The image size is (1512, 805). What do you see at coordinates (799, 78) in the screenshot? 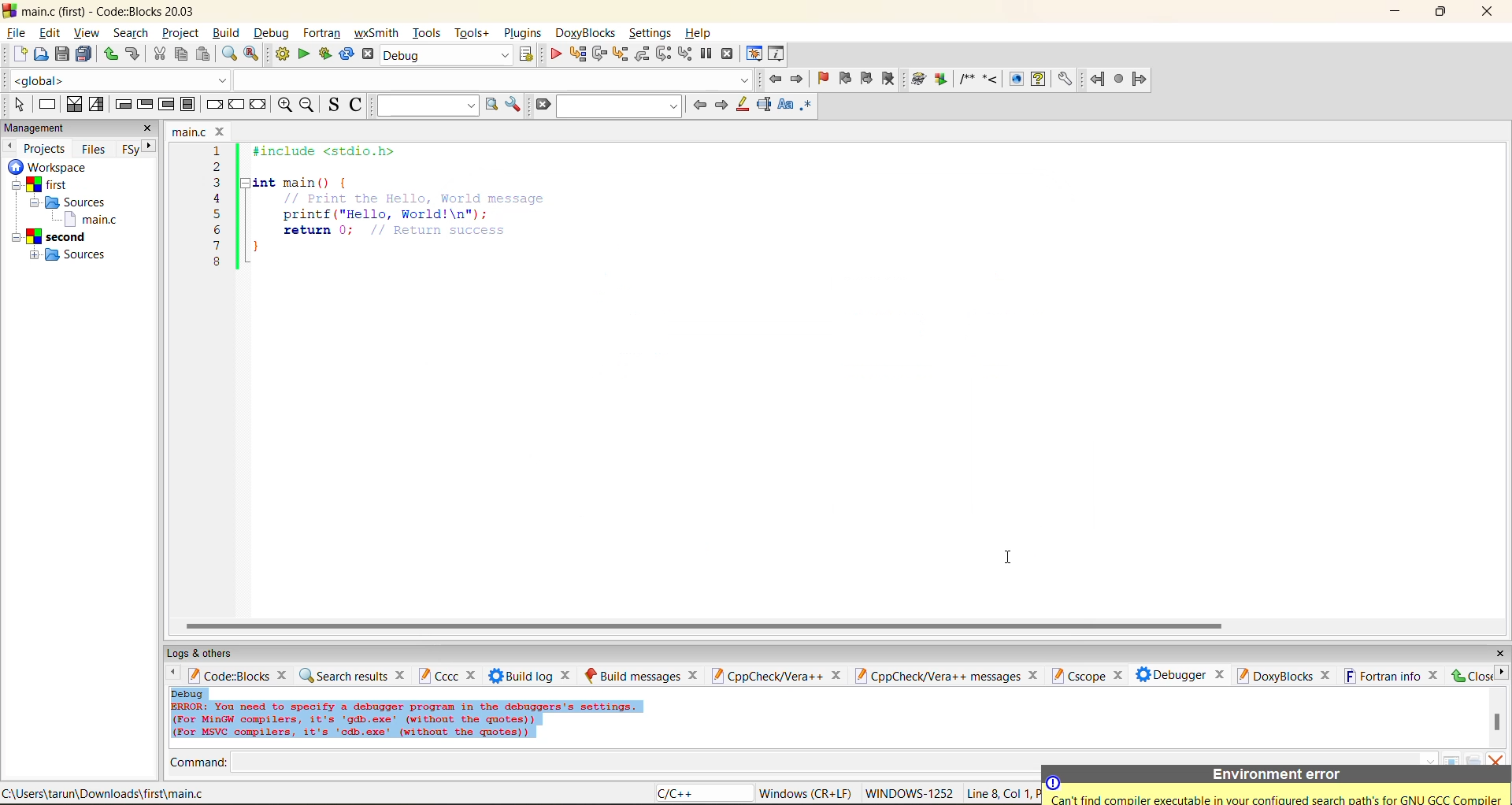
I see `jump forward` at bounding box center [799, 78].